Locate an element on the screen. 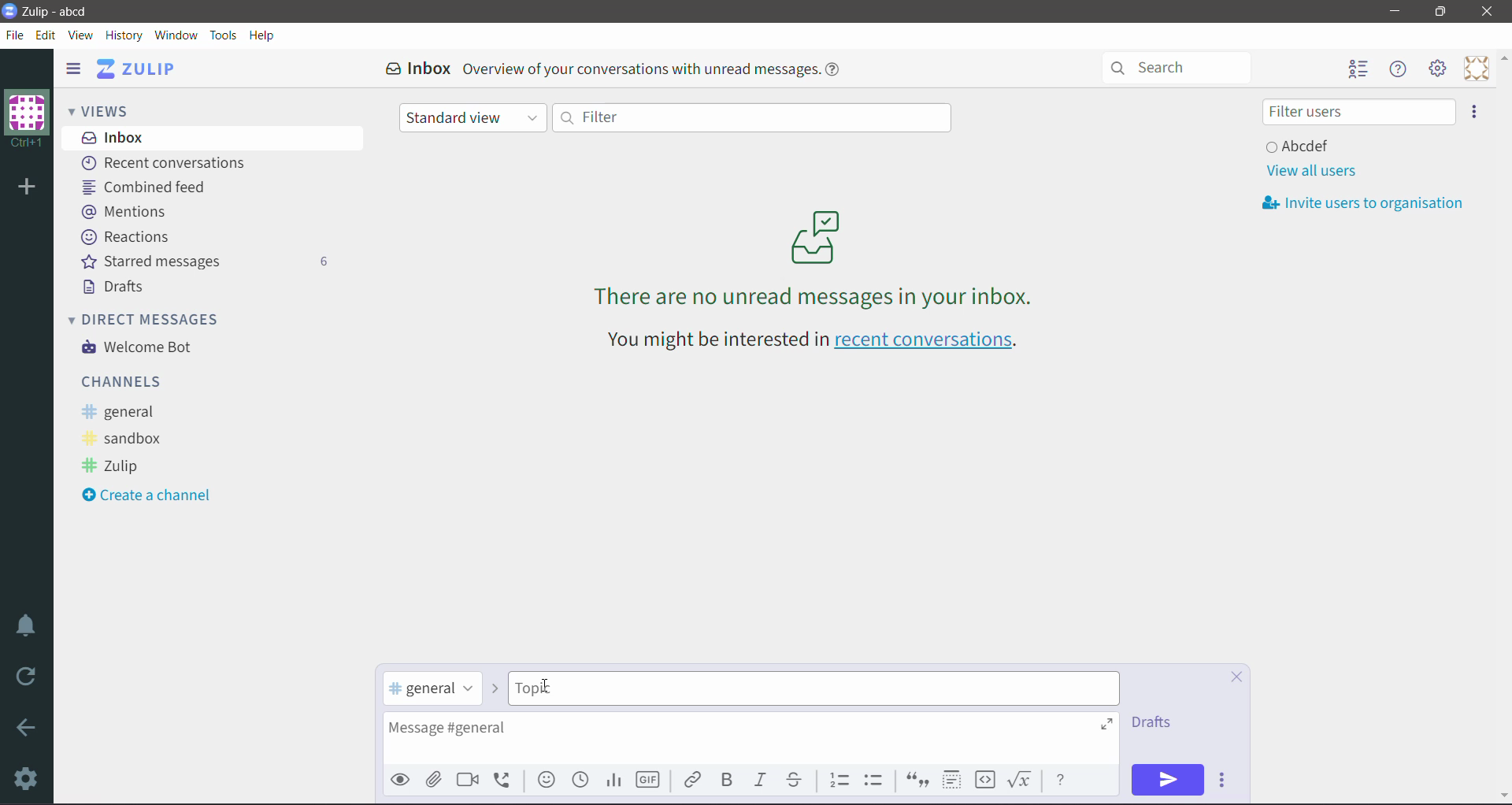 The image size is (1512, 805). Cancel Compose is located at coordinates (1236, 678).